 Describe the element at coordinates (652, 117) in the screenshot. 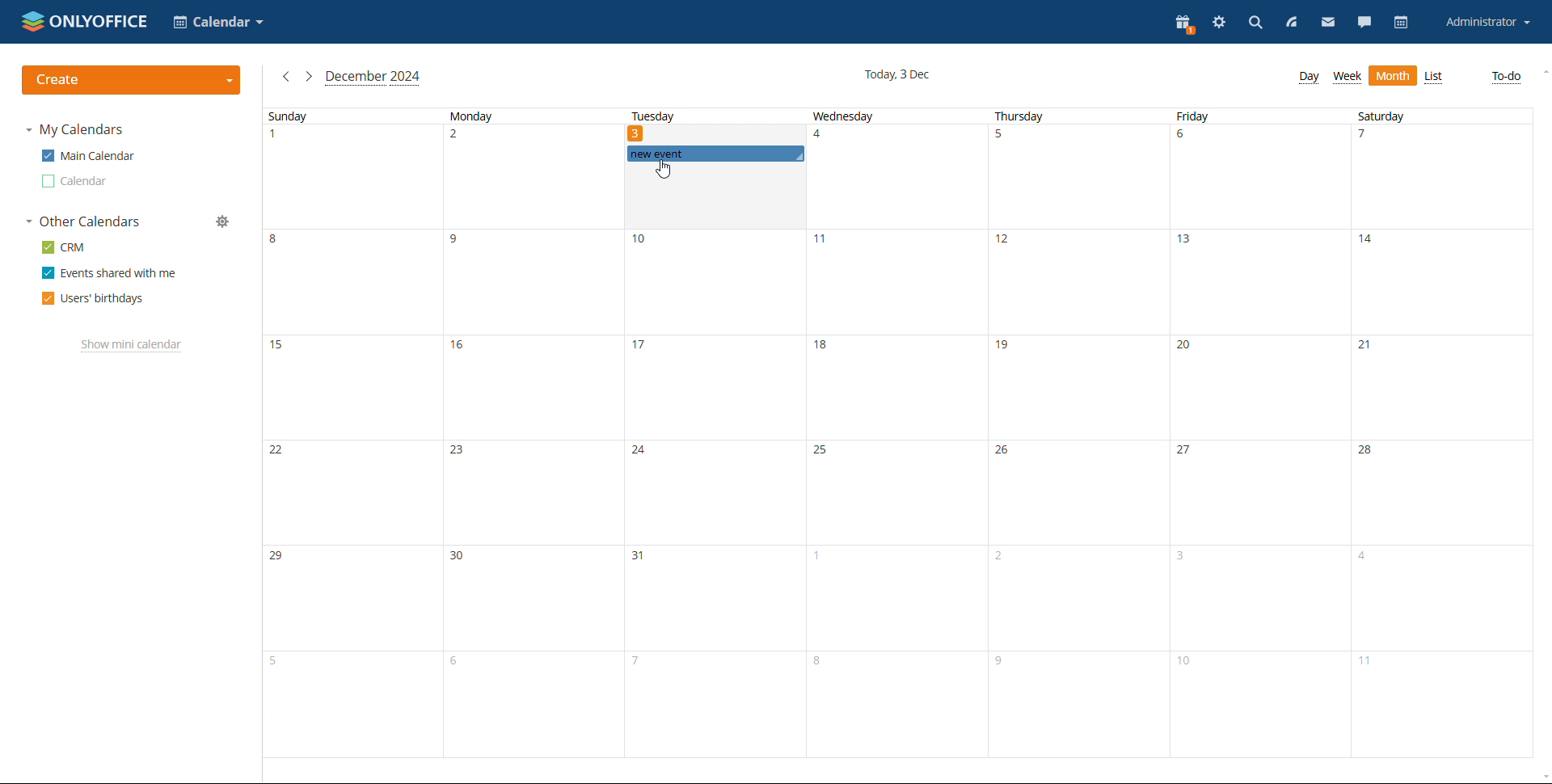

I see `tuesday` at that location.